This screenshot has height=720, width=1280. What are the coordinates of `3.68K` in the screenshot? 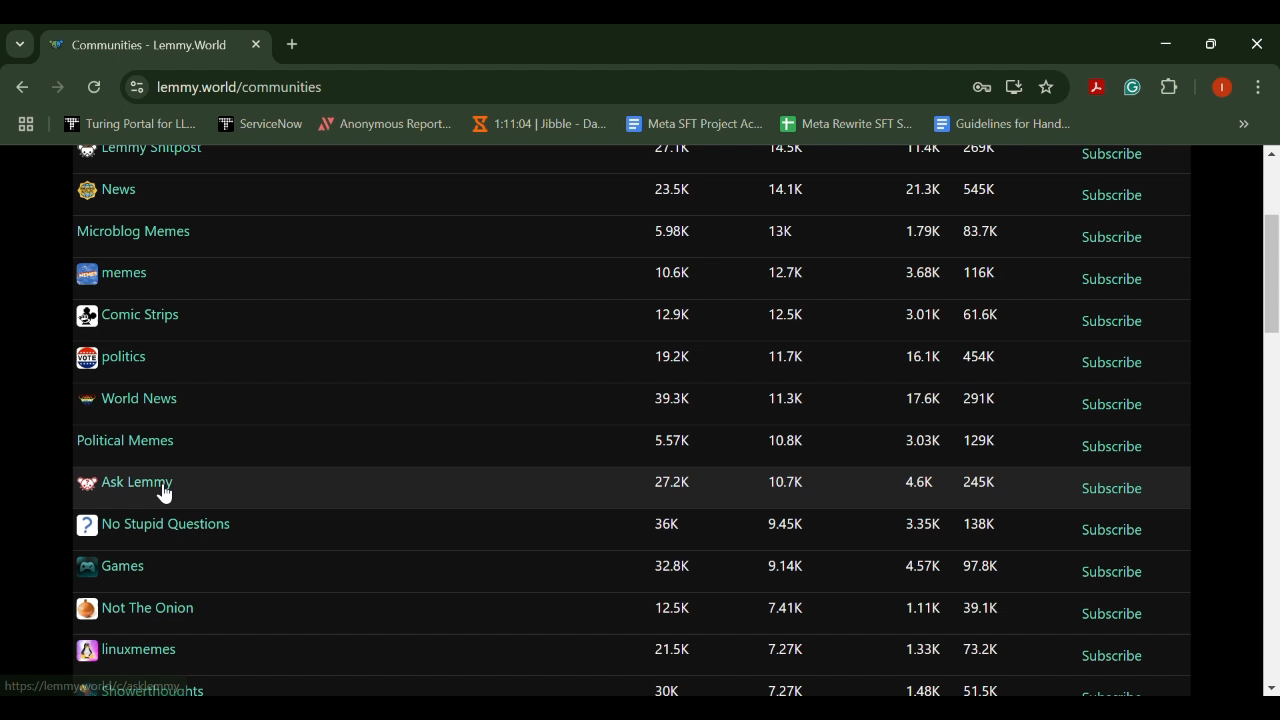 It's located at (915, 272).